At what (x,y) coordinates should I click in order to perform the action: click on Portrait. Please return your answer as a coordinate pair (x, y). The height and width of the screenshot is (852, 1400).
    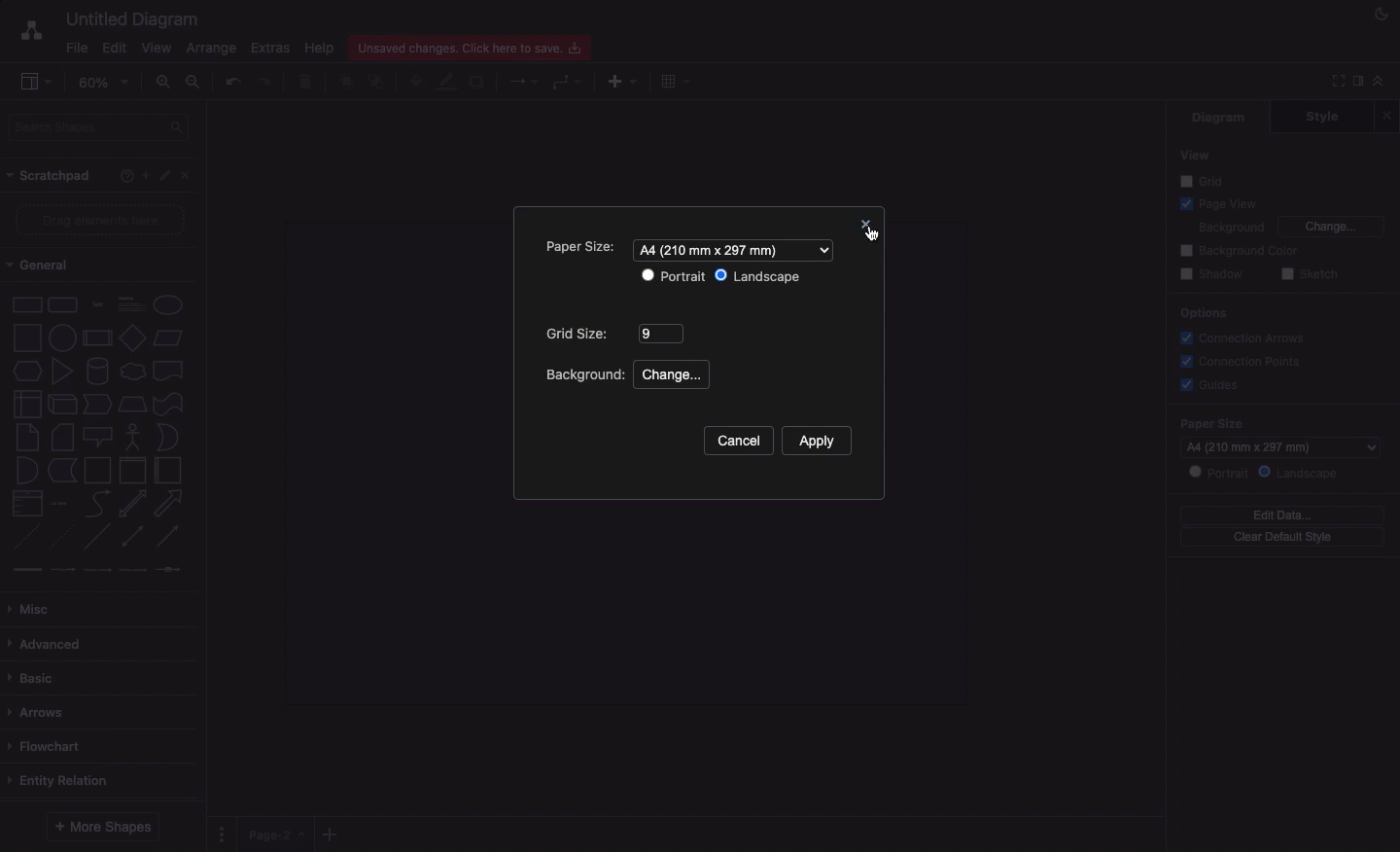
    Looking at the image, I should click on (1217, 472).